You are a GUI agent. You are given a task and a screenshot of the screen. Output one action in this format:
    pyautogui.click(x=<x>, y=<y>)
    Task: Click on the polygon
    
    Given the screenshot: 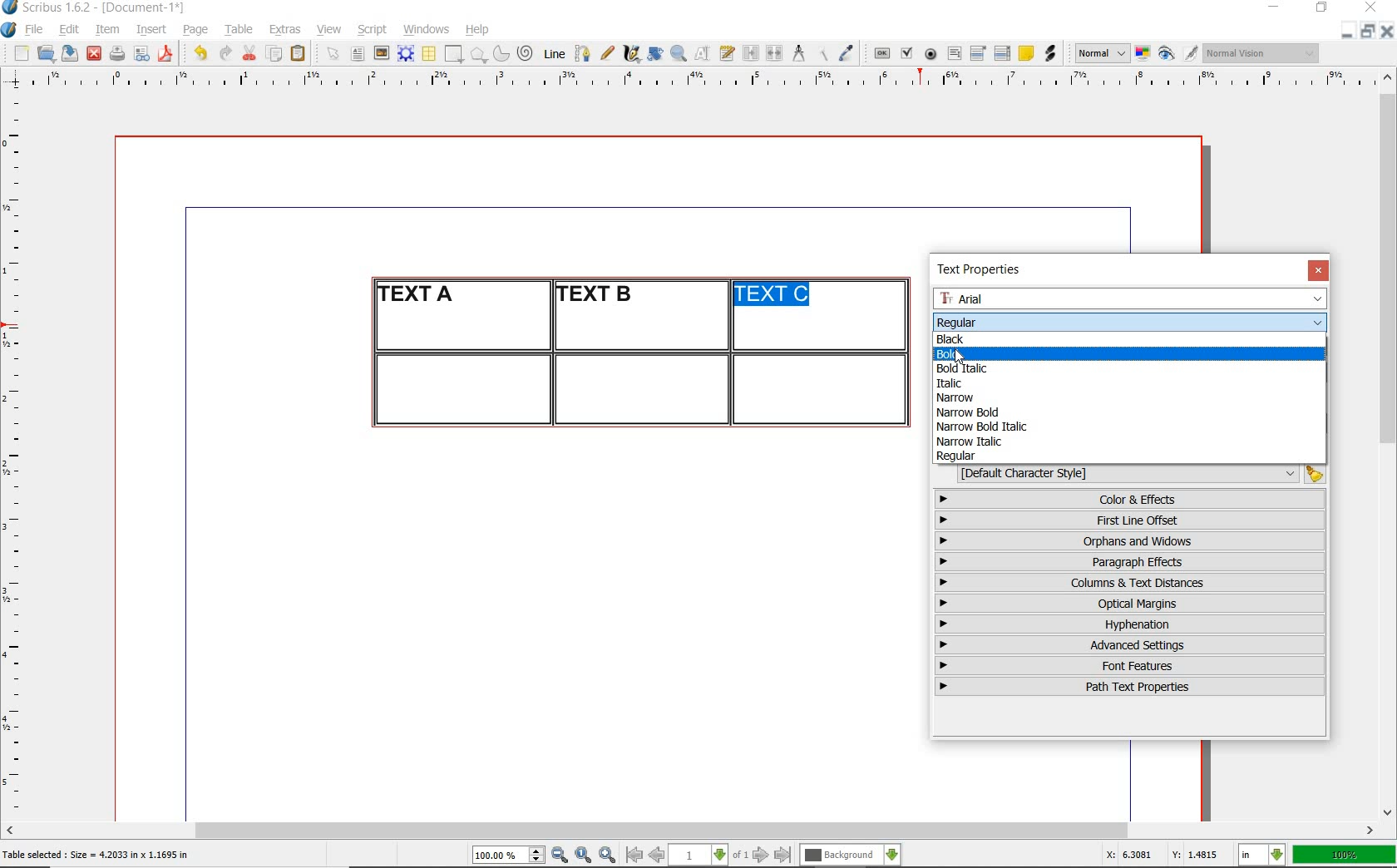 What is the action you would take?
    pyautogui.click(x=478, y=54)
    